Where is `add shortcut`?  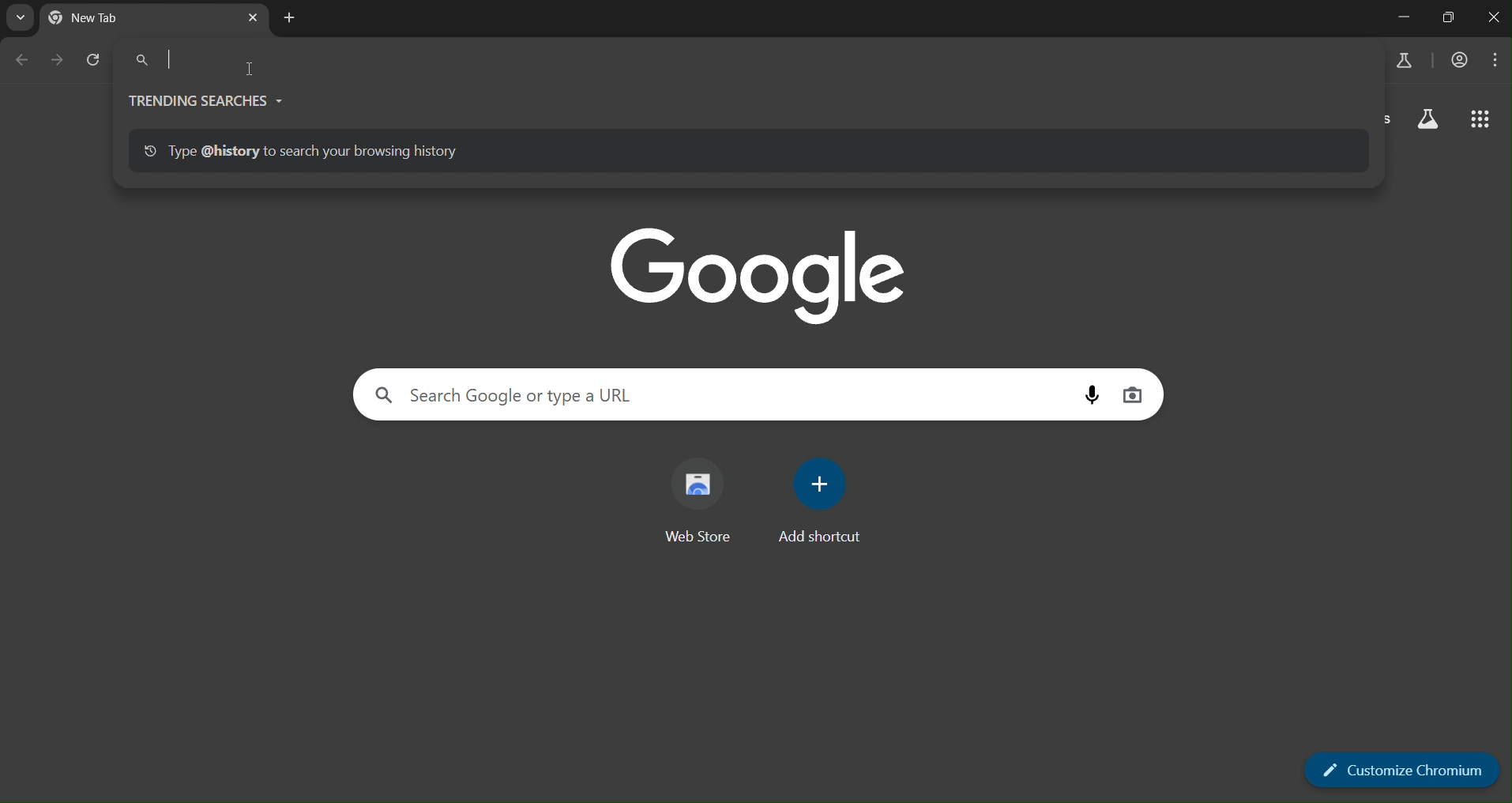
add shortcut is located at coordinates (822, 501).